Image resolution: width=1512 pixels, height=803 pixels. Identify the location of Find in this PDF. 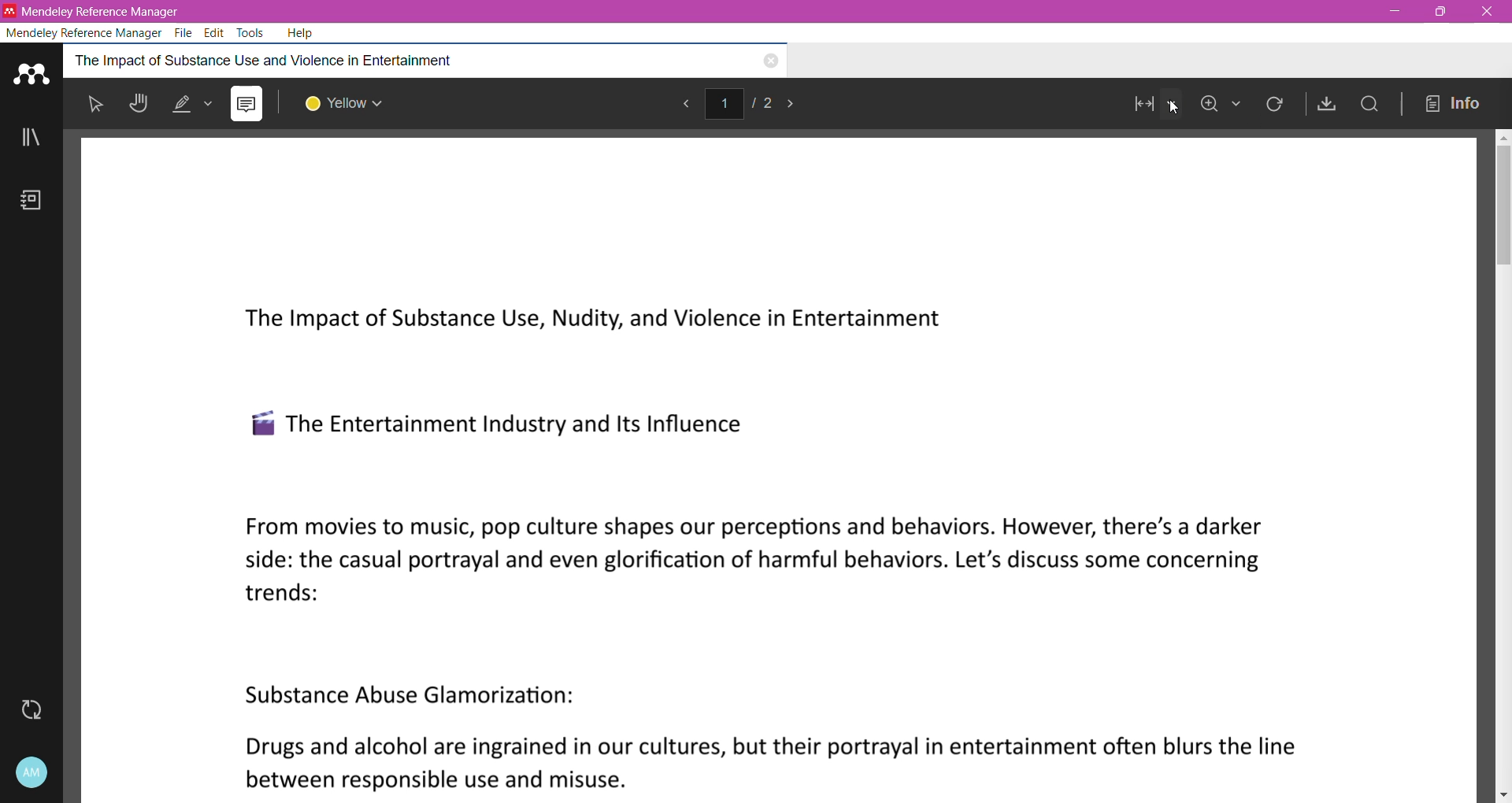
(1368, 105).